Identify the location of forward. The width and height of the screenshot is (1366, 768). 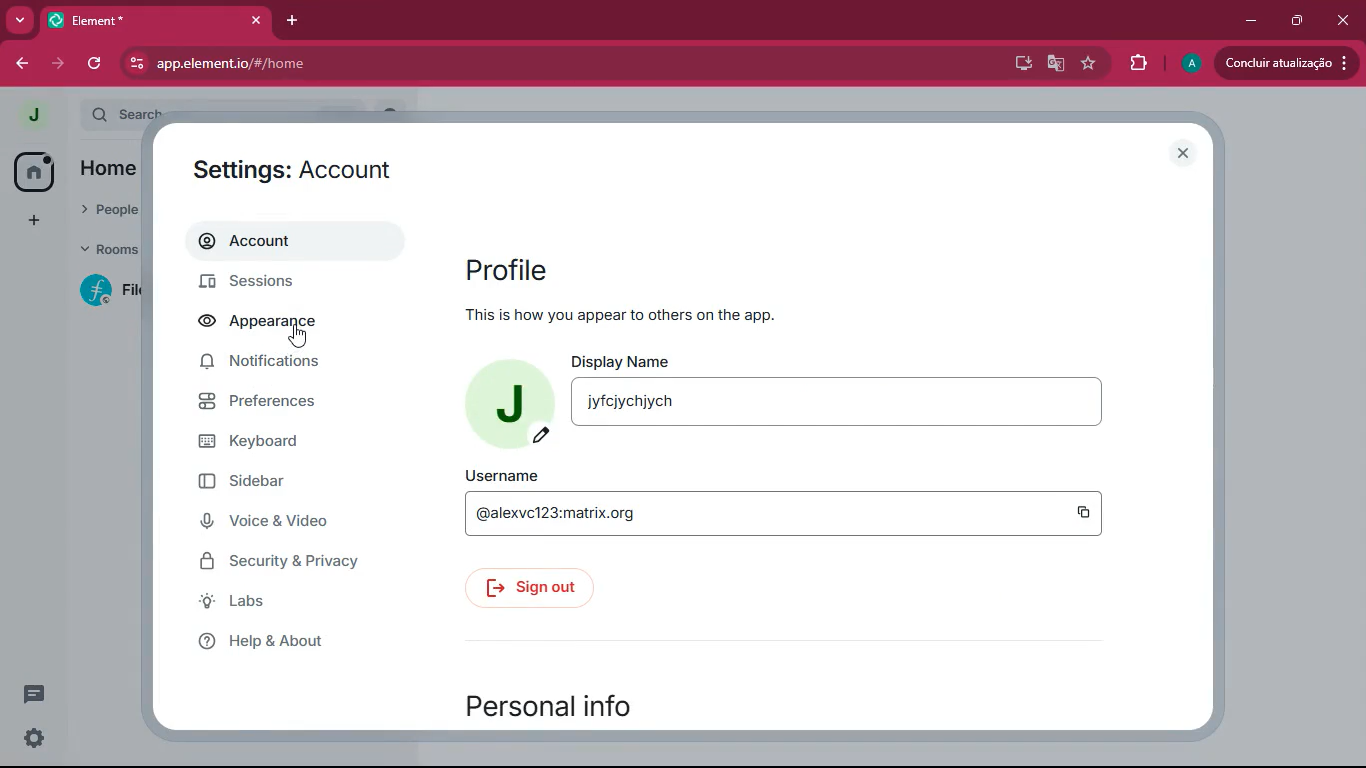
(61, 66).